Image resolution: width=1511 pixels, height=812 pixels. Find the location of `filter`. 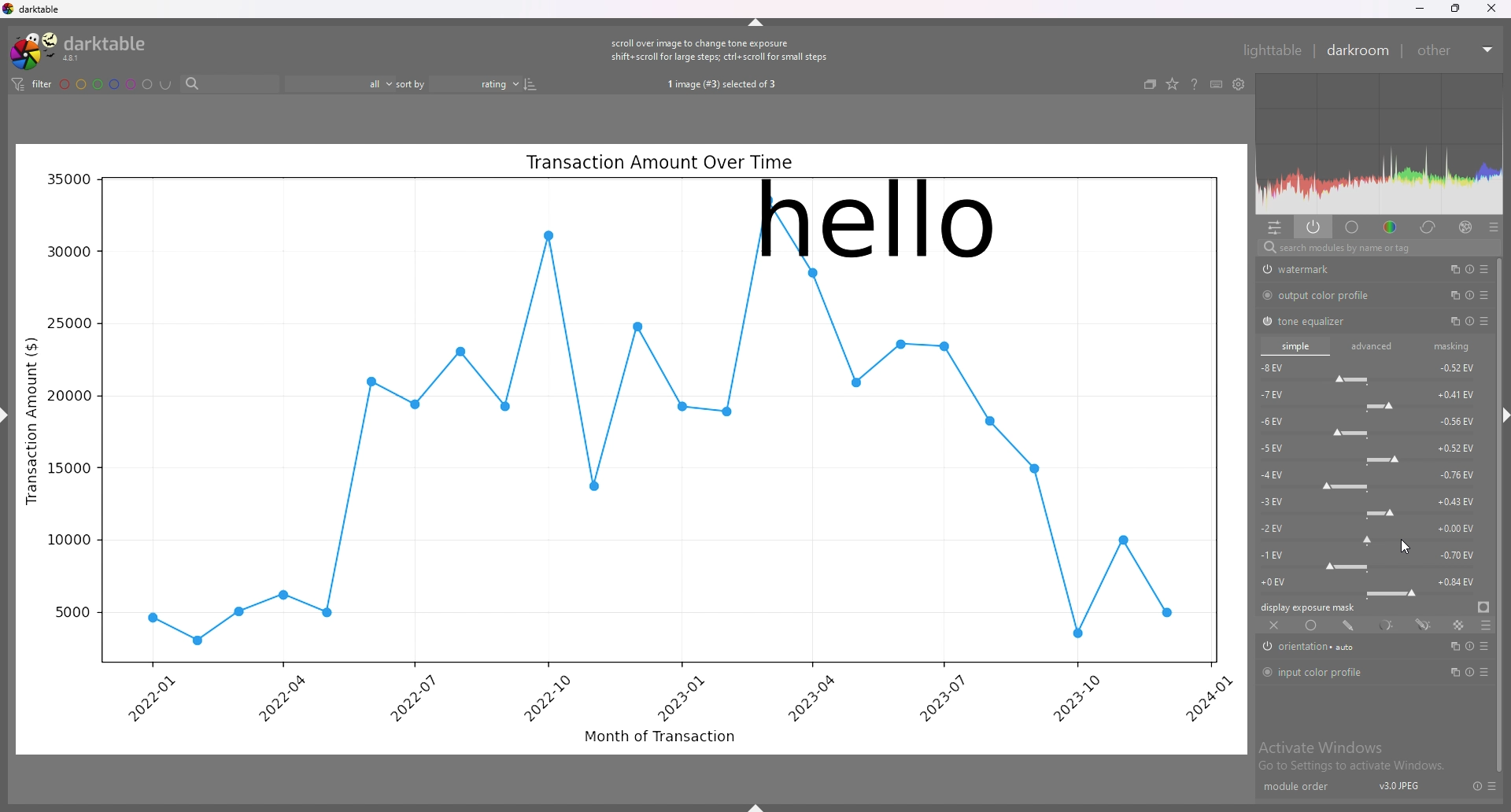

filter is located at coordinates (31, 86).